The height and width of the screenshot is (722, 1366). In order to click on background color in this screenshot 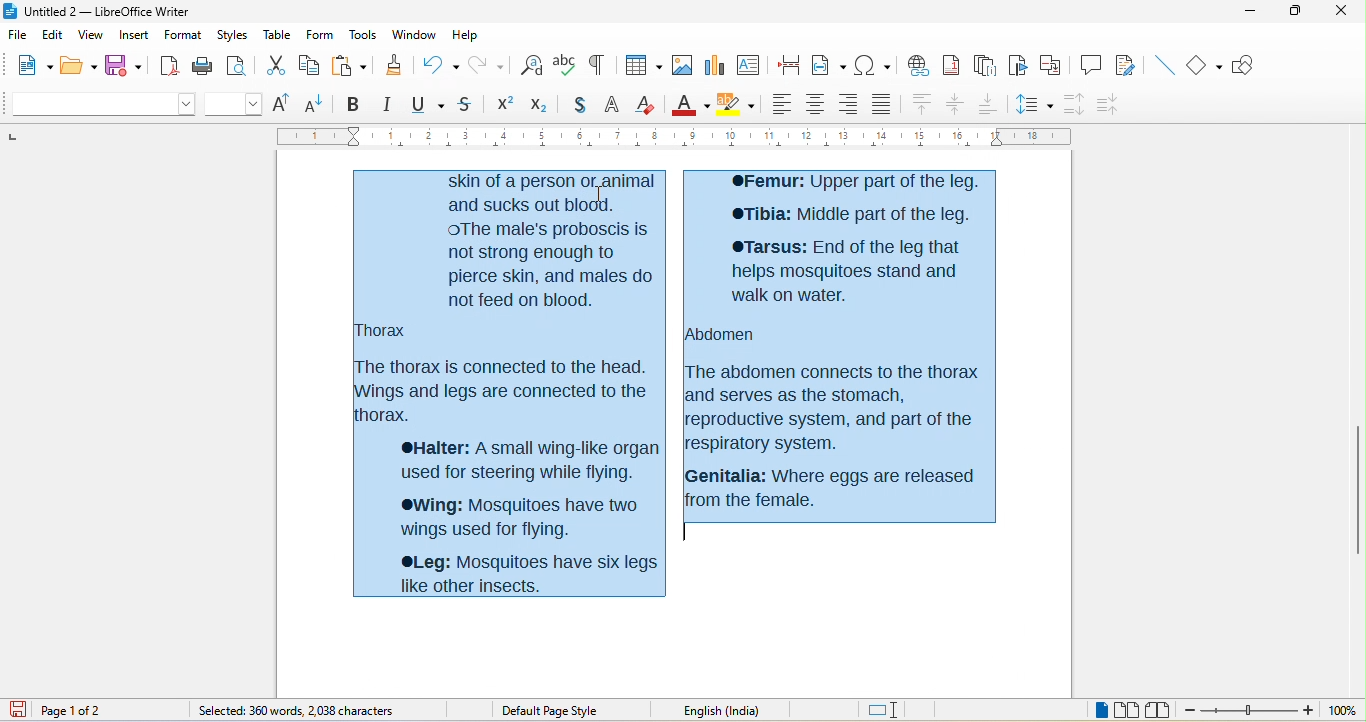, I will do `click(739, 101)`.